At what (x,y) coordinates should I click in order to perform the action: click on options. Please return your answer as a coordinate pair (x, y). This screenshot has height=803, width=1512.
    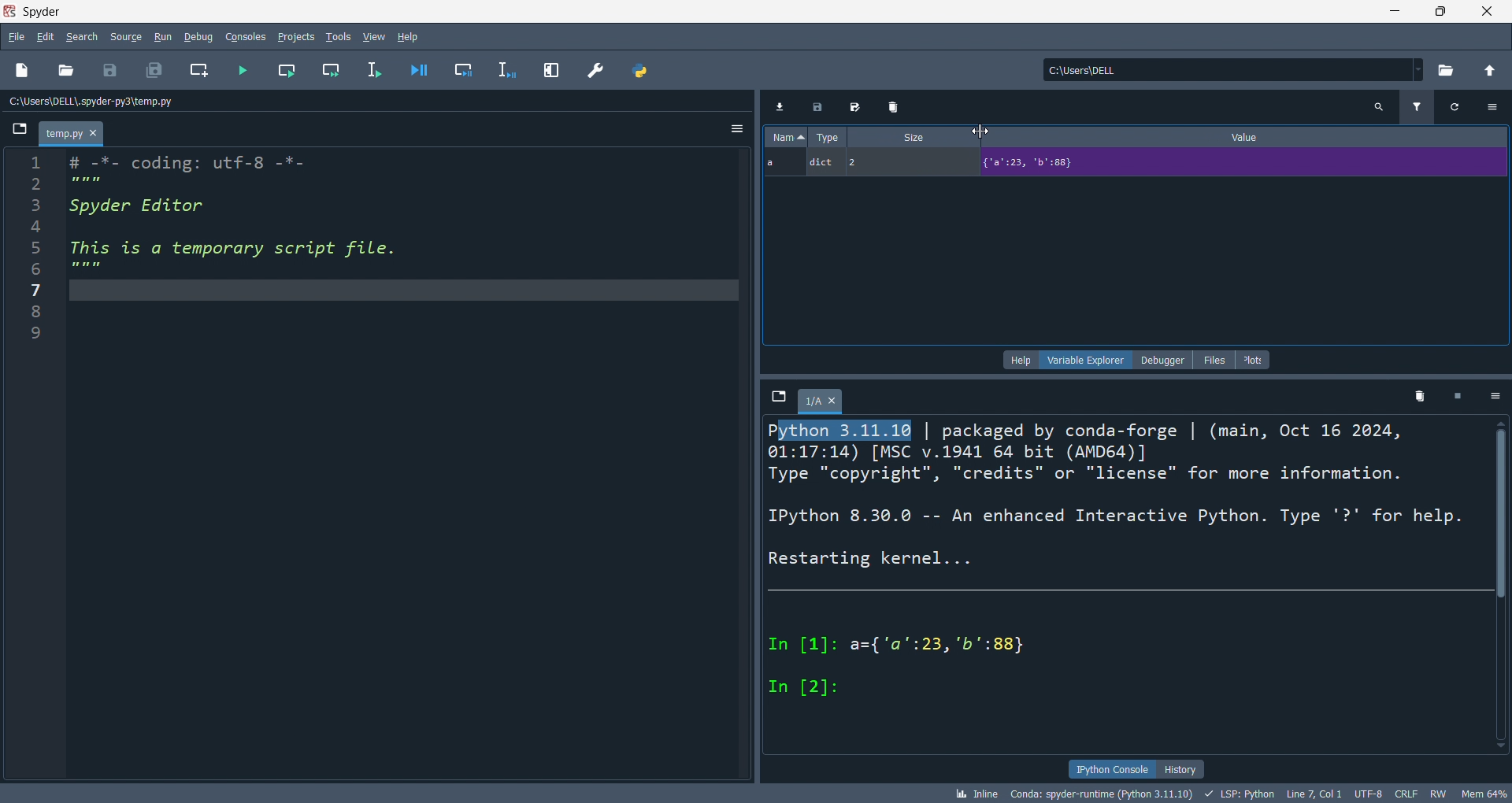
    Looking at the image, I should click on (736, 130).